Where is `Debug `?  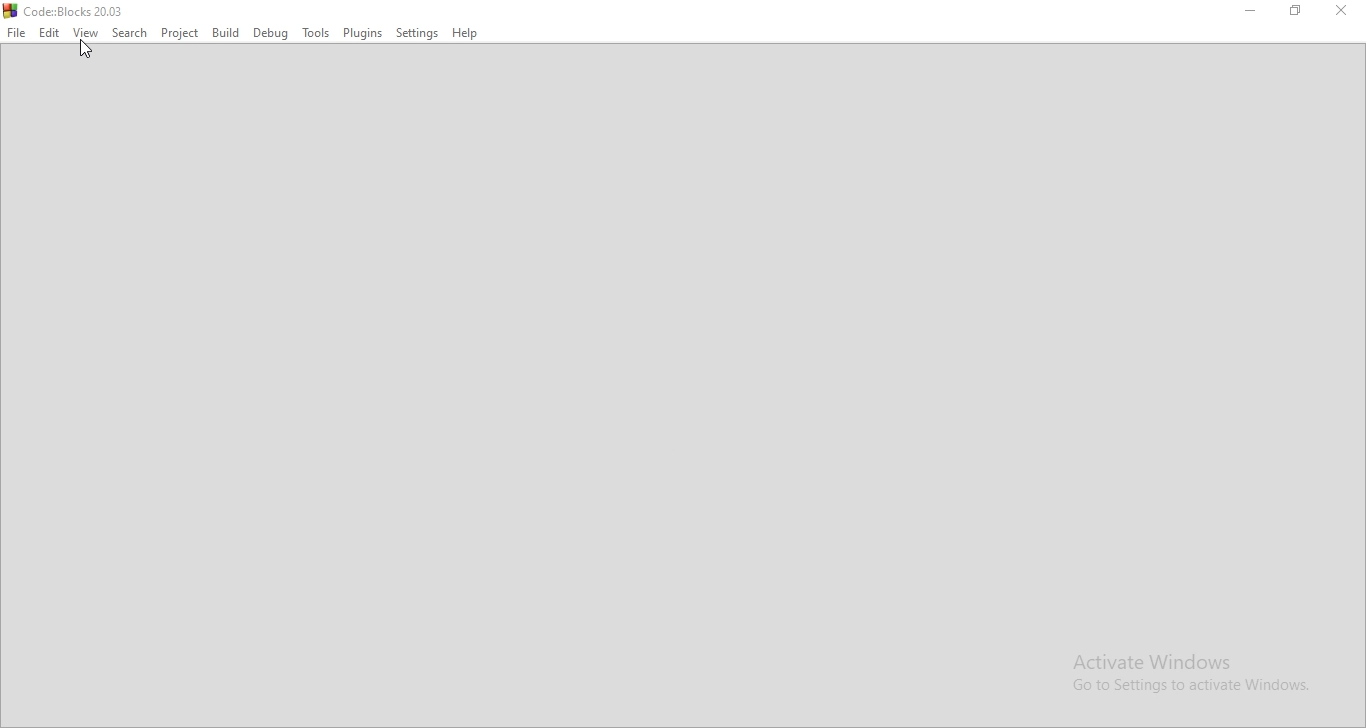 Debug  is located at coordinates (269, 33).